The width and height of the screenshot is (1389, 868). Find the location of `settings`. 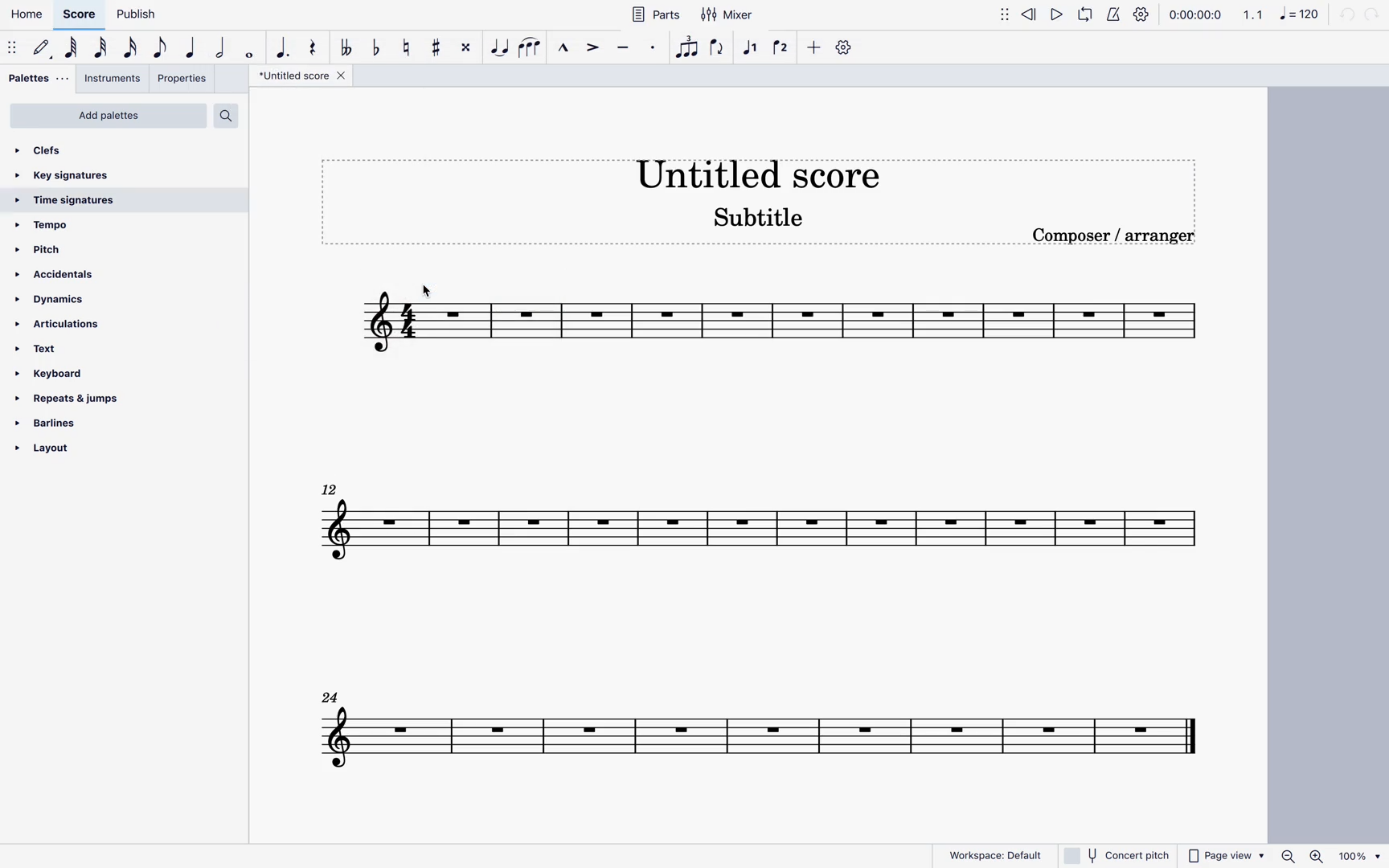

settings is located at coordinates (844, 49).